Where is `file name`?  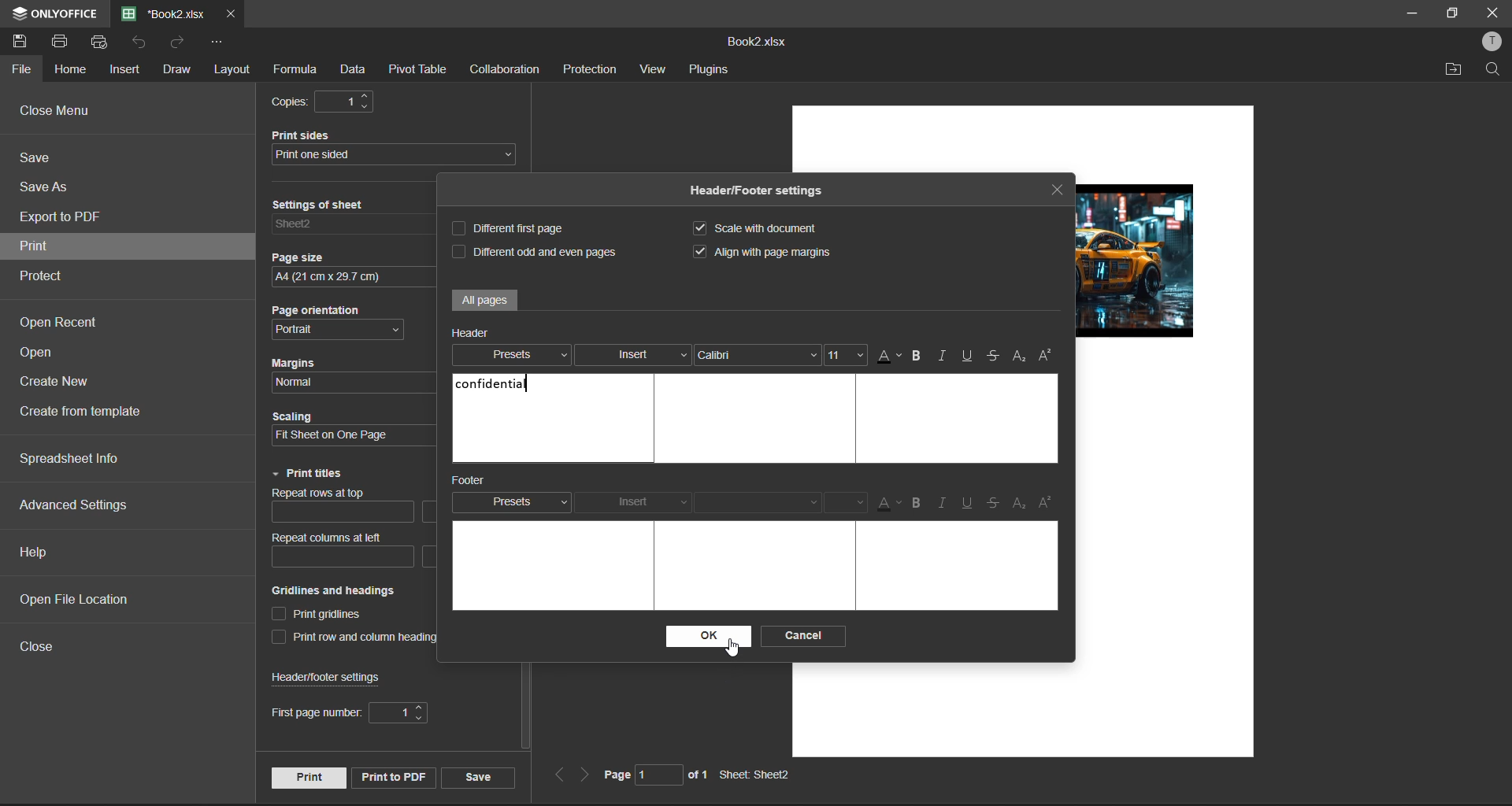
file name is located at coordinates (164, 14).